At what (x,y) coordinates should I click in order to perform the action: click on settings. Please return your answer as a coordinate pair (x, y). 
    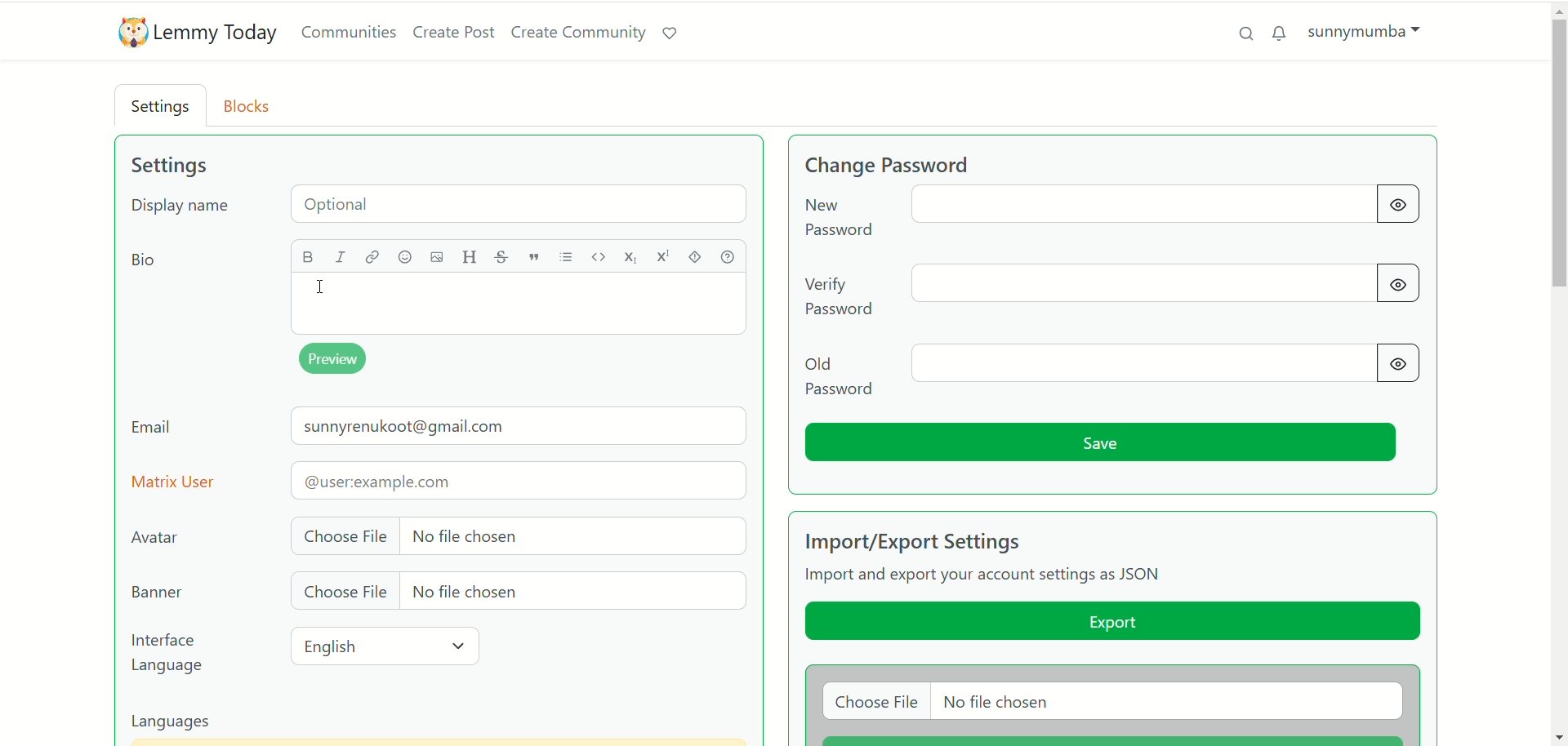
    Looking at the image, I should click on (168, 166).